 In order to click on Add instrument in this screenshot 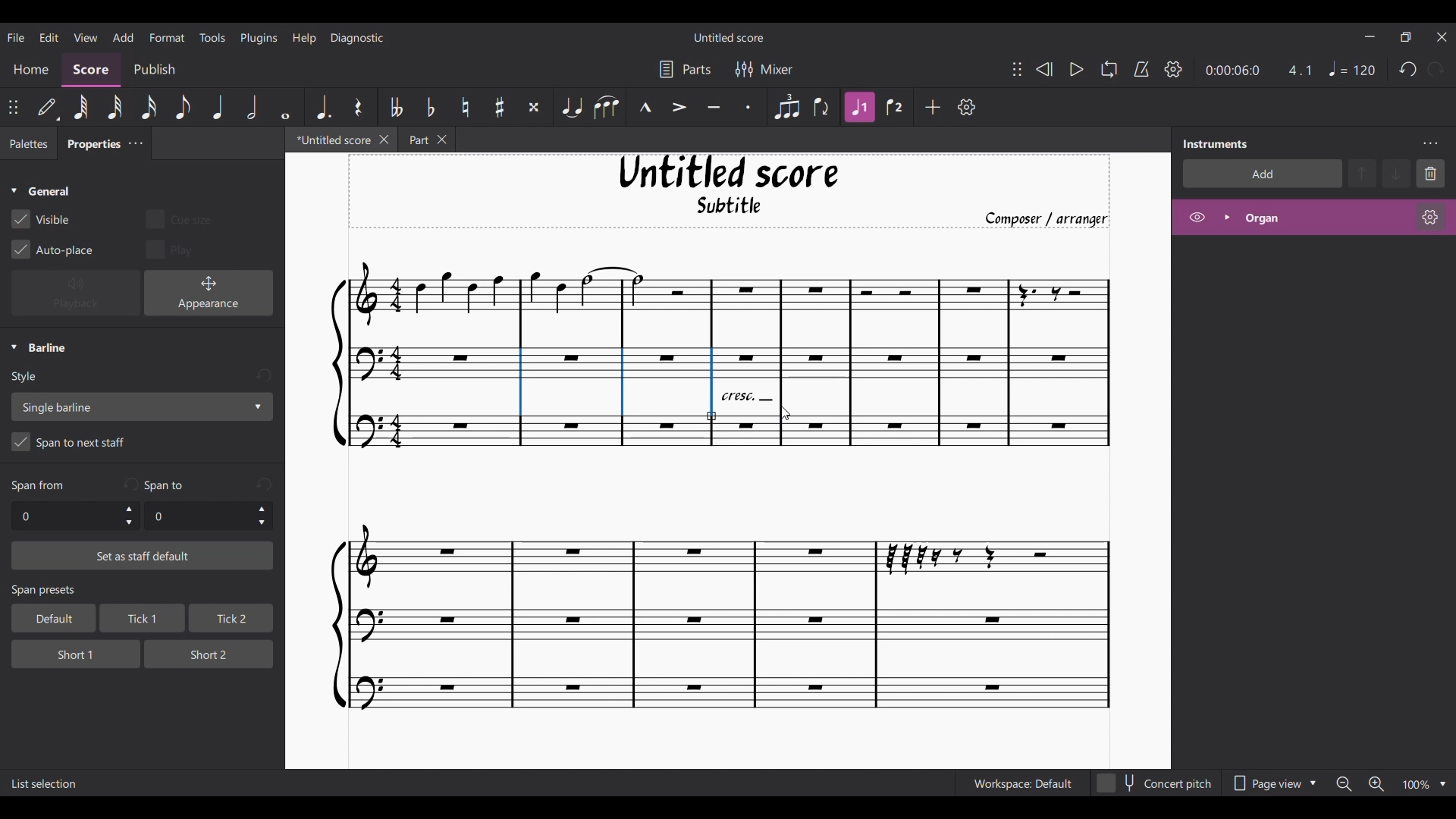, I will do `click(1263, 173)`.